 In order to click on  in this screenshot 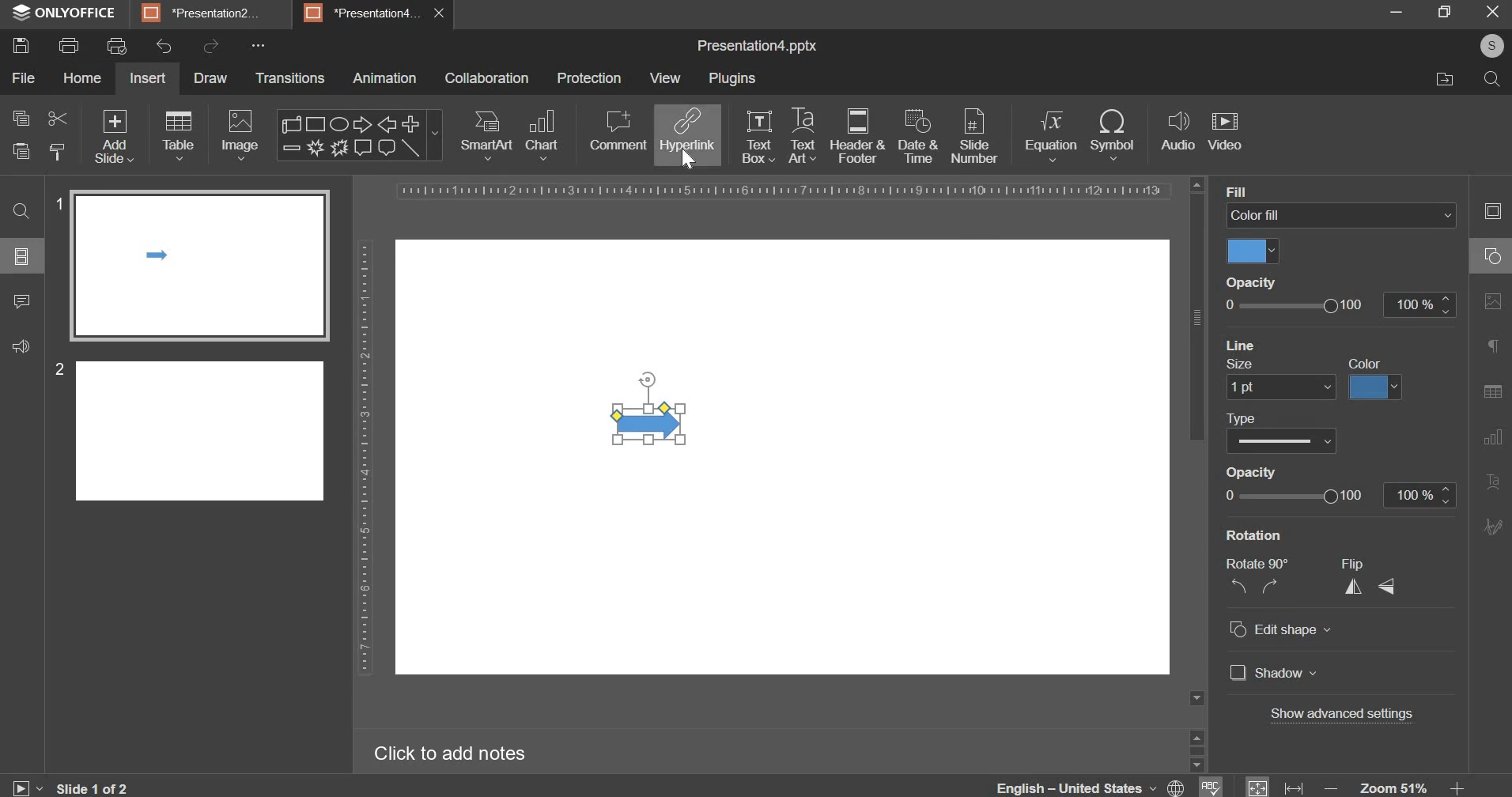, I will do `click(1351, 716)`.